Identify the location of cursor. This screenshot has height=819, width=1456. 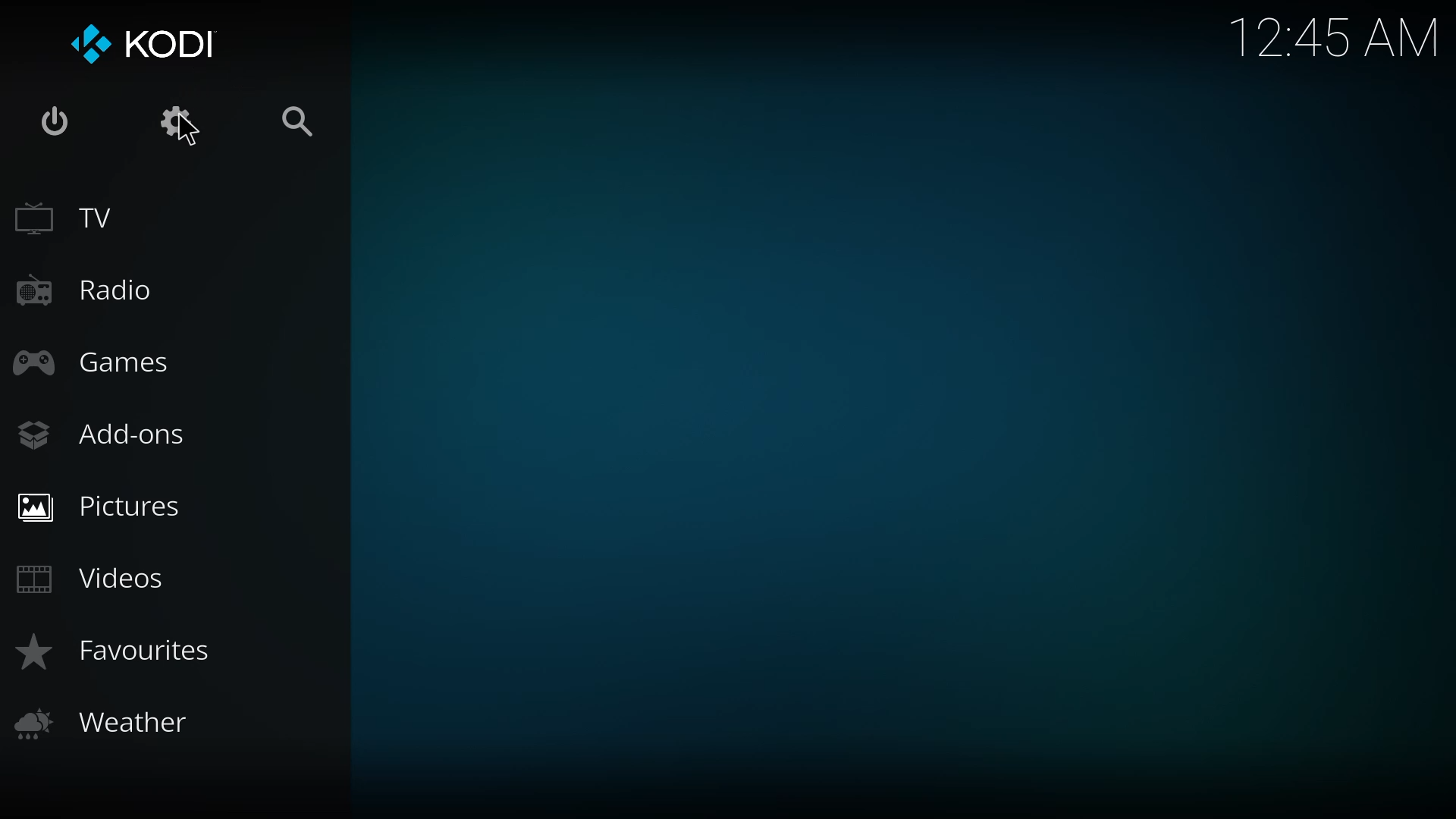
(187, 130).